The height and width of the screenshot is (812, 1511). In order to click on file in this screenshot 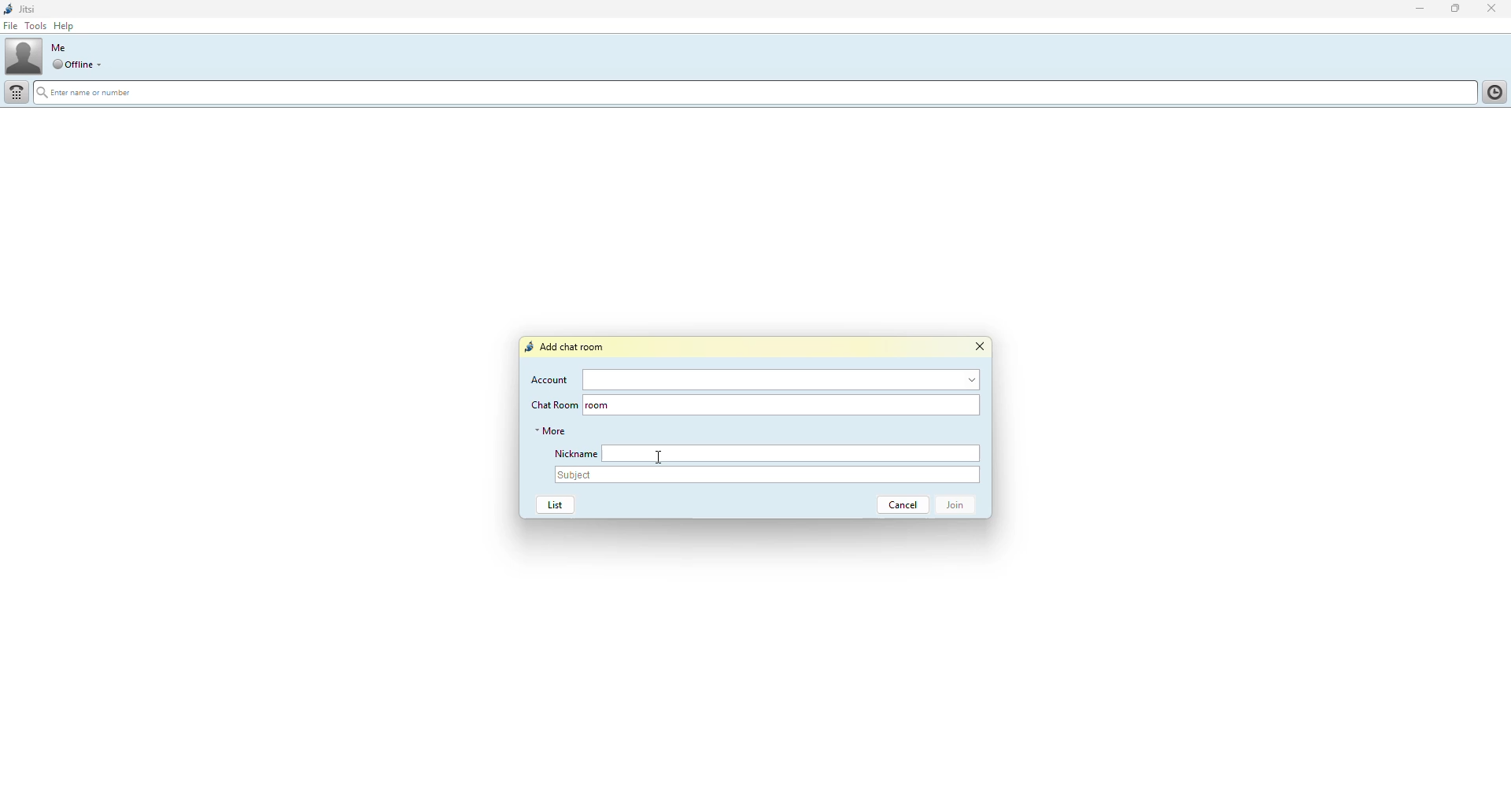, I will do `click(12, 26)`.